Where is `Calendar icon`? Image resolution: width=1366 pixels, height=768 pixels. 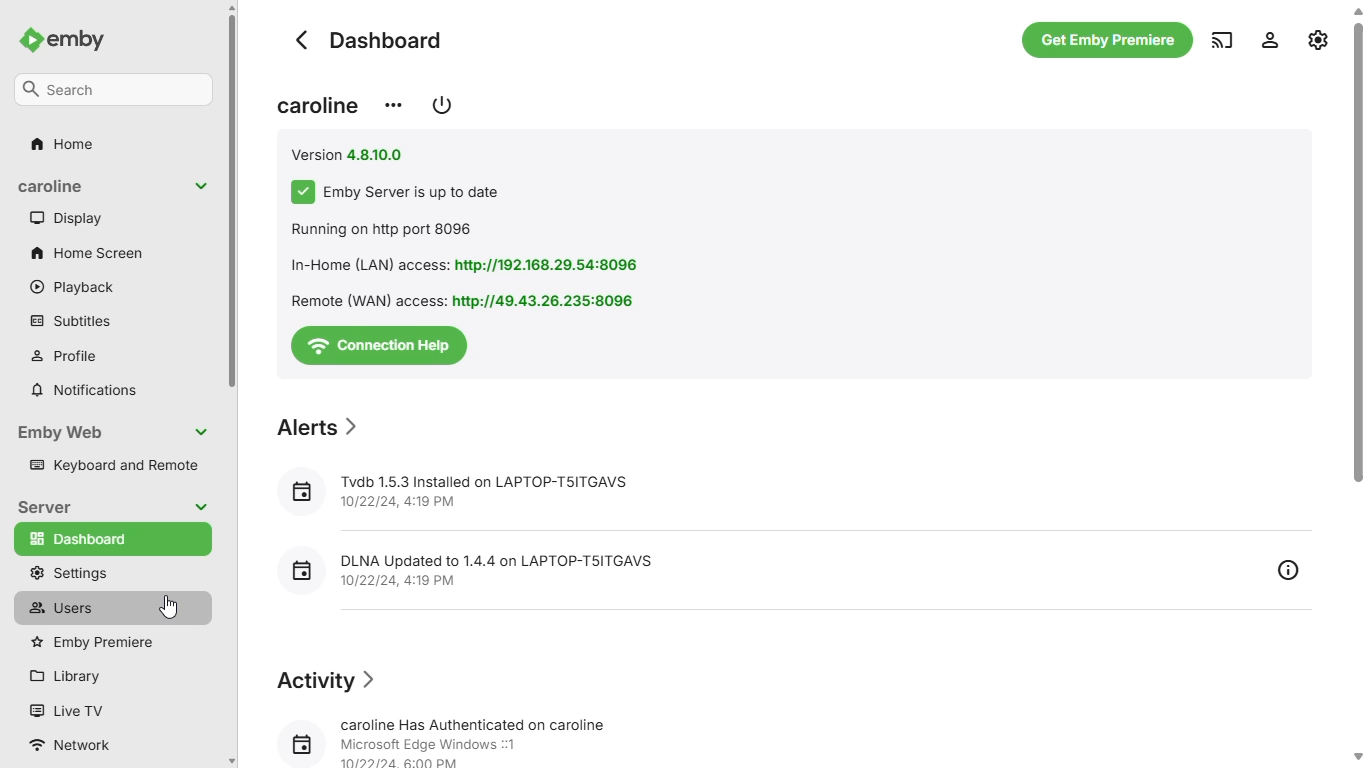
Calendar icon is located at coordinates (299, 492).